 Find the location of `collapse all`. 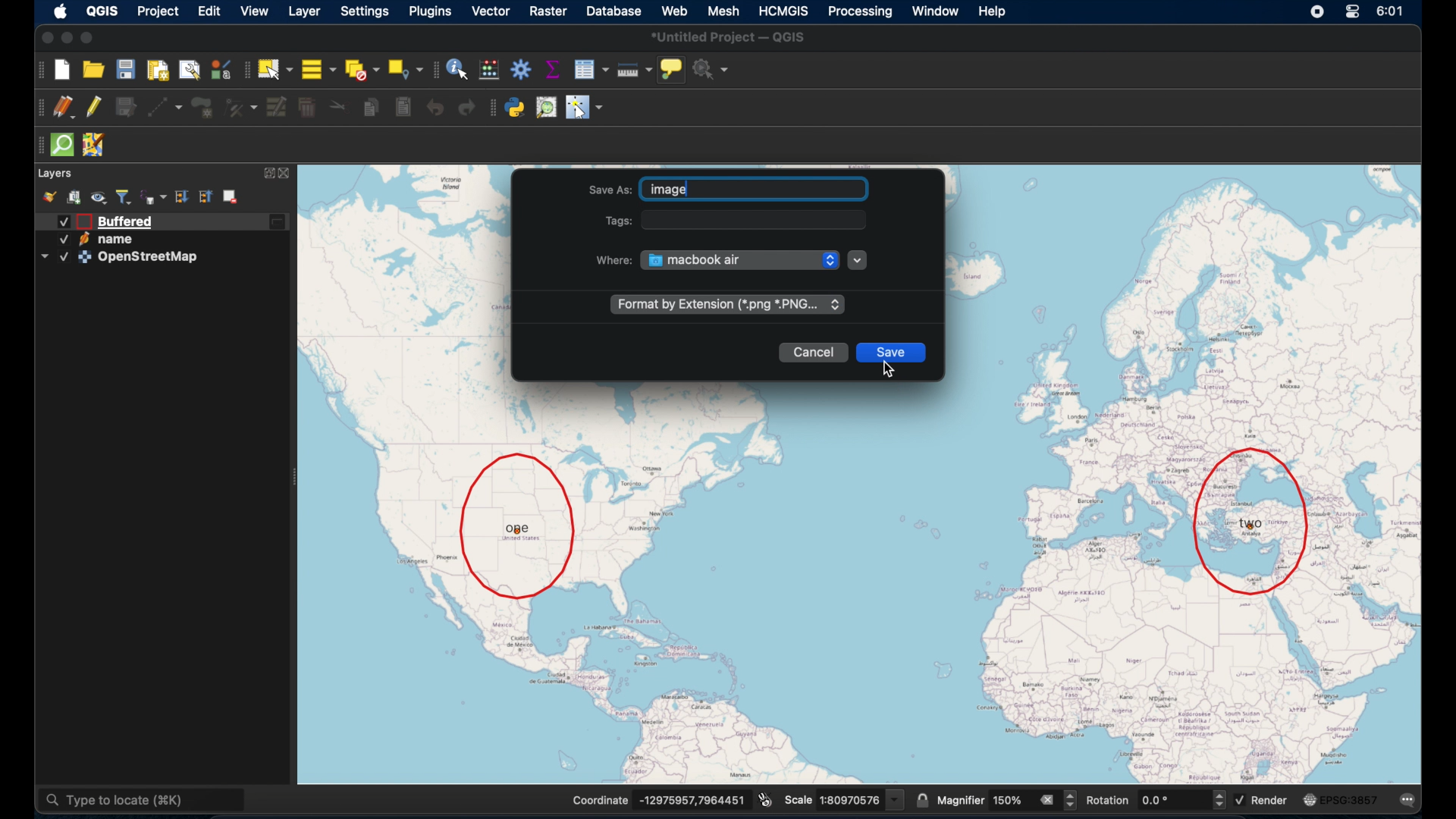

collapse all is located at coordinates (206, 197).